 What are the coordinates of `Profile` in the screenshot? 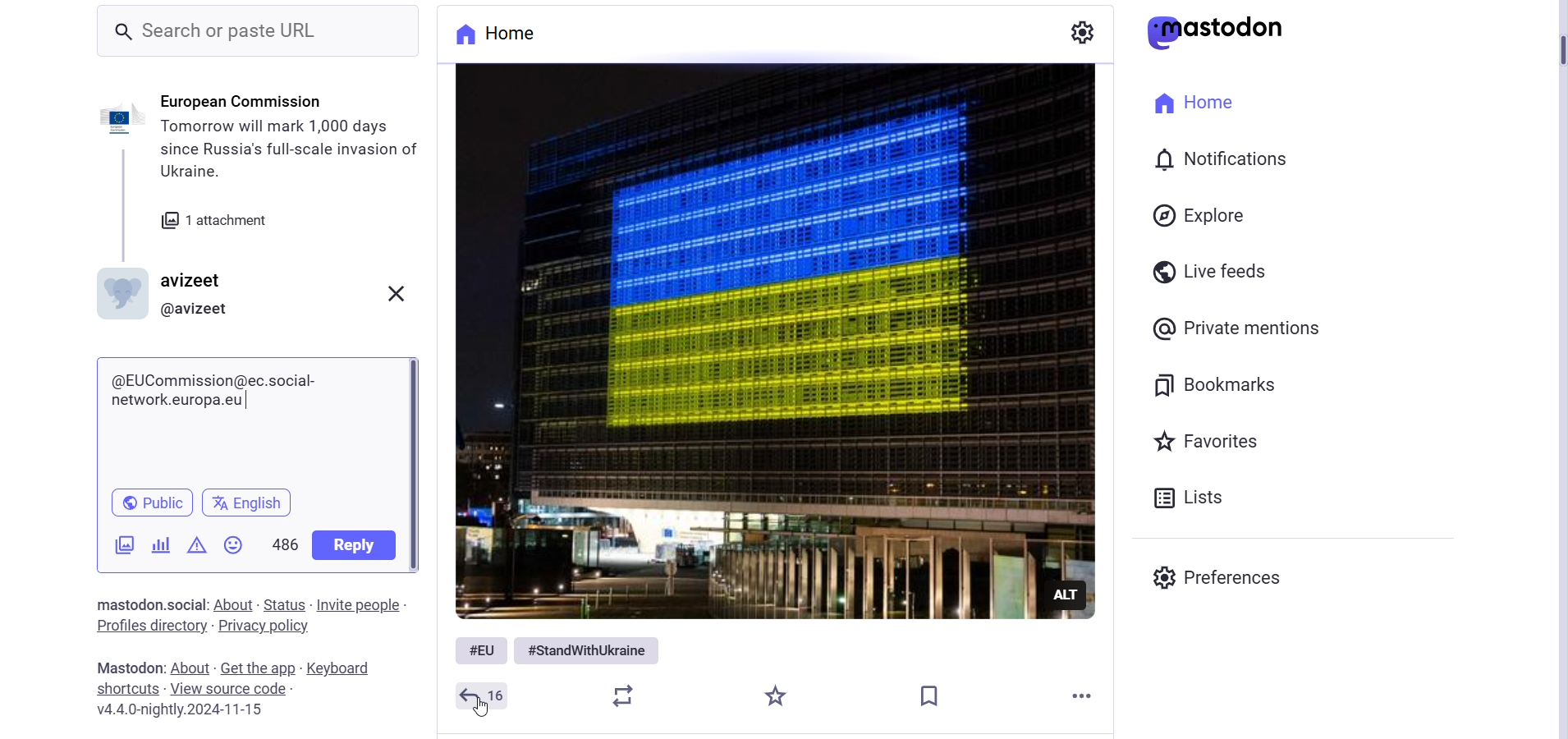 It's located at (171, 293).